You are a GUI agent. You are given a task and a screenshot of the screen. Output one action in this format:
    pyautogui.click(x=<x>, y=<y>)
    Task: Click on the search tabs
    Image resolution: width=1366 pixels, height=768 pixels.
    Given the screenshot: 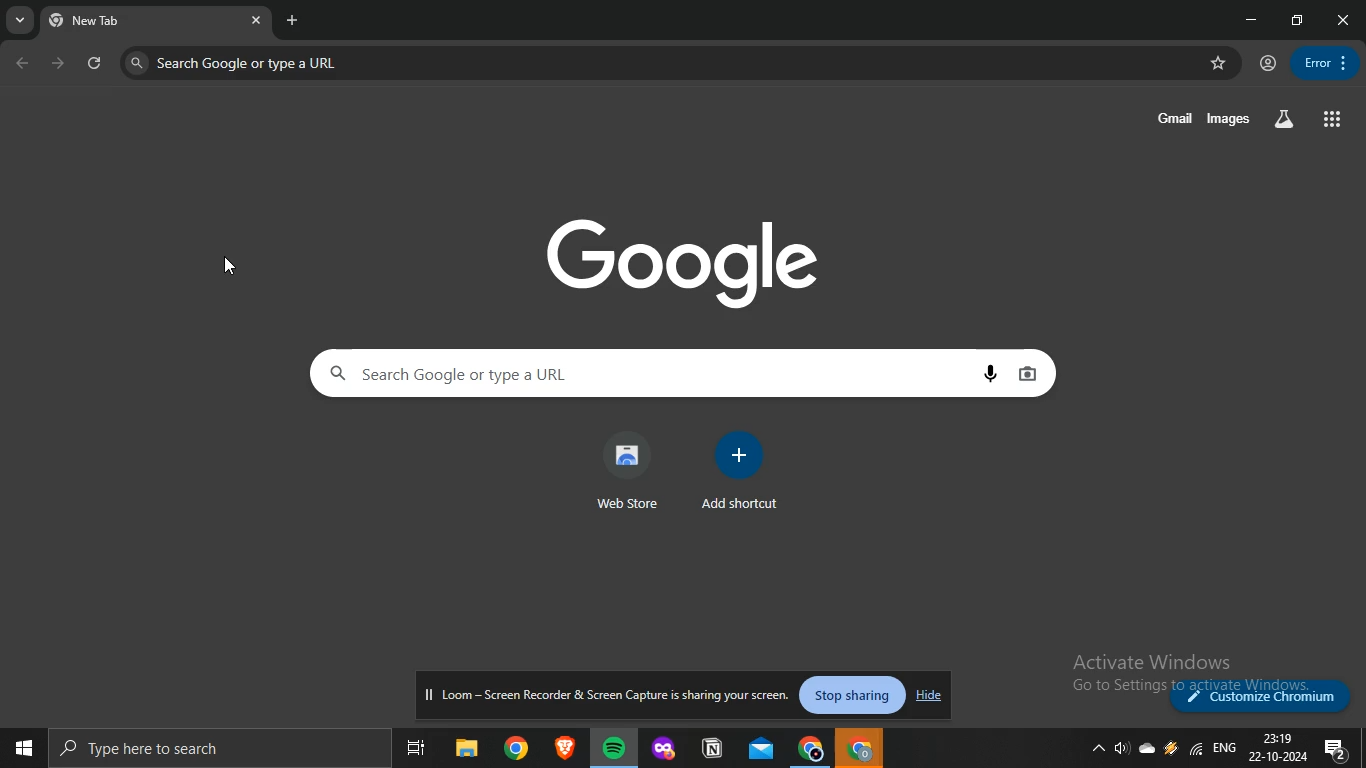 What is the action you would take?
    pyautogui.click(x=20, y=21)
    